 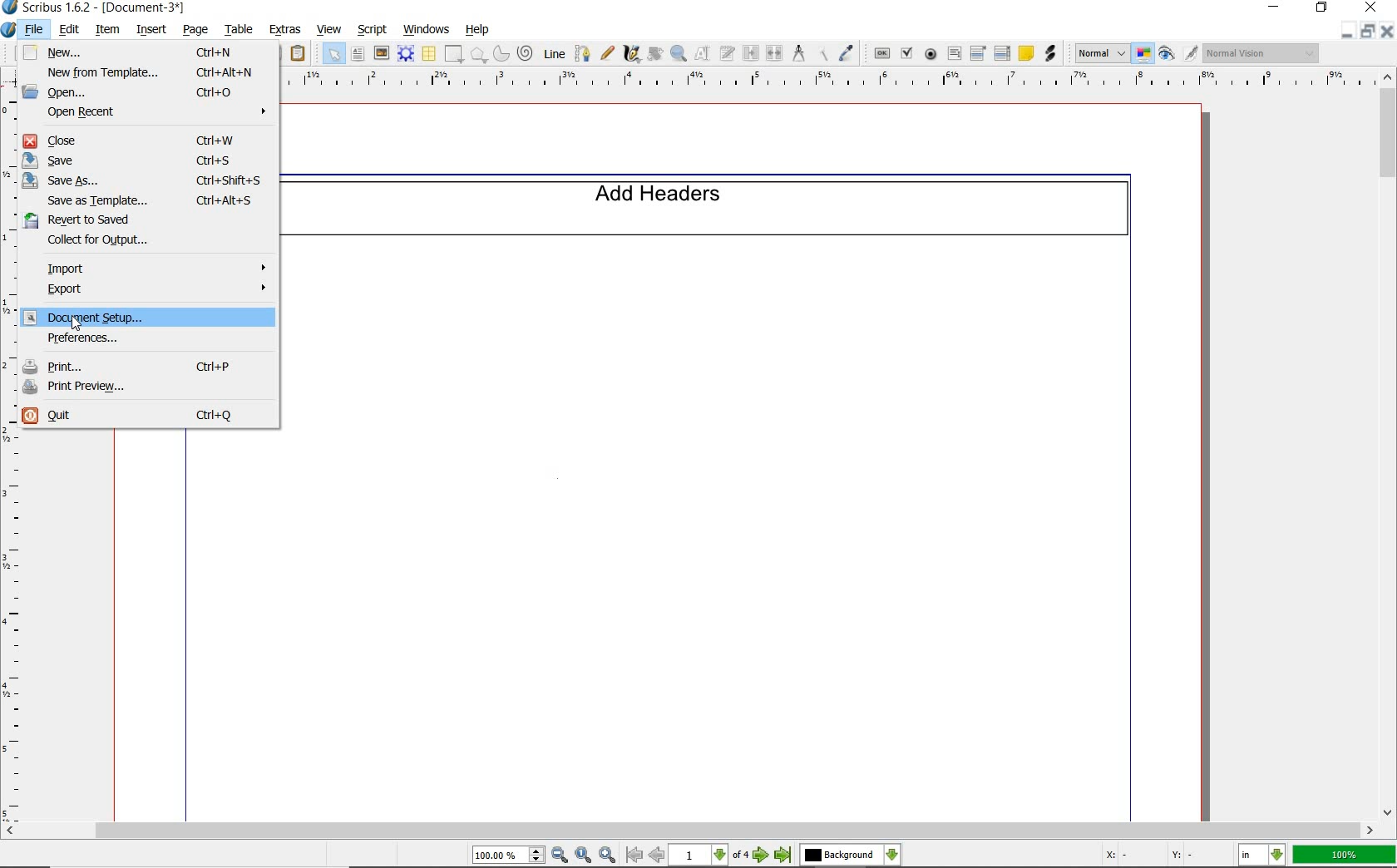 What do you see at coordinates (634, 54) in the screenshot?
I see `calligraphic line` at bounding box center [634, 54].